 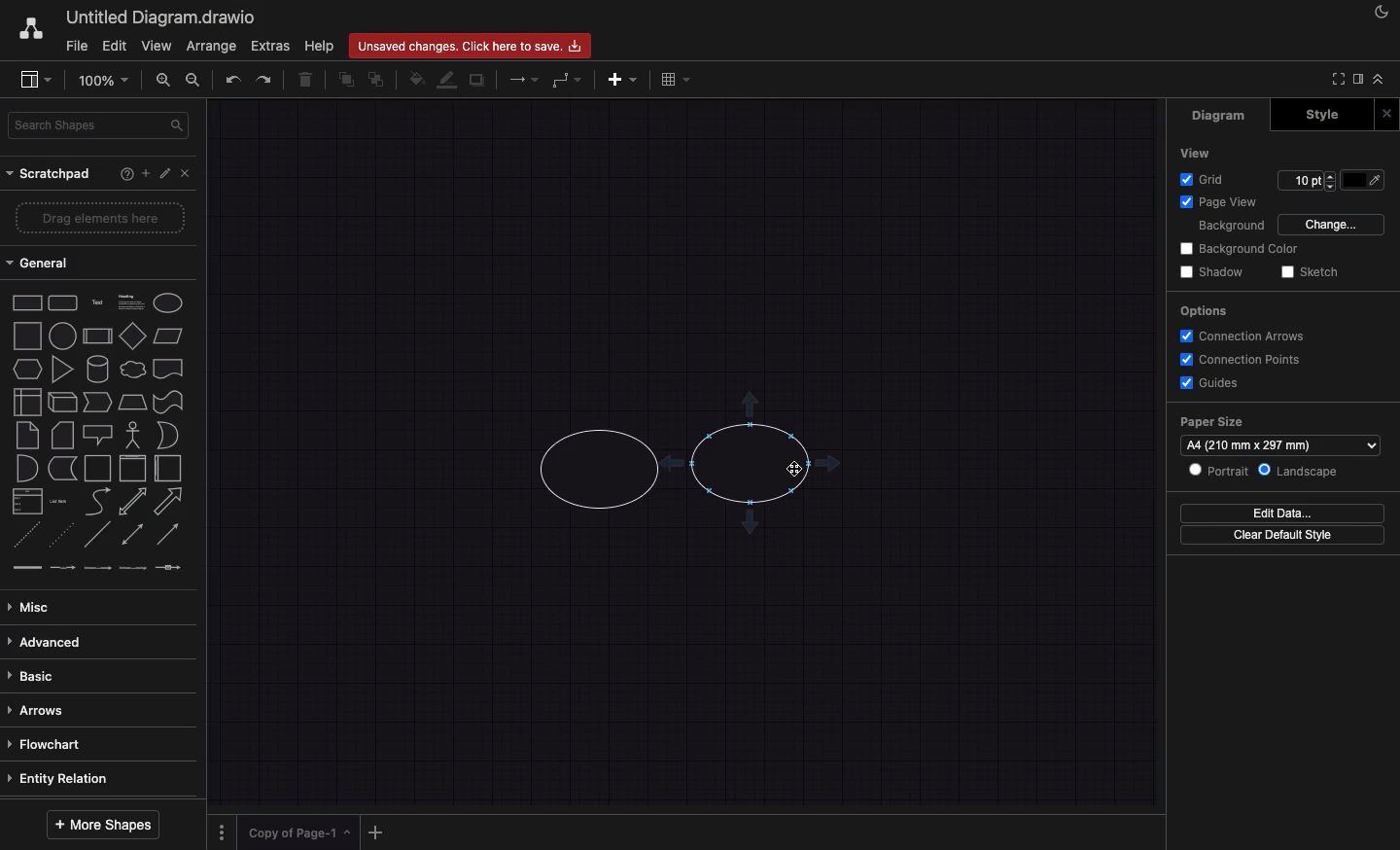 I want to click on note, so click(x=29, y=435).